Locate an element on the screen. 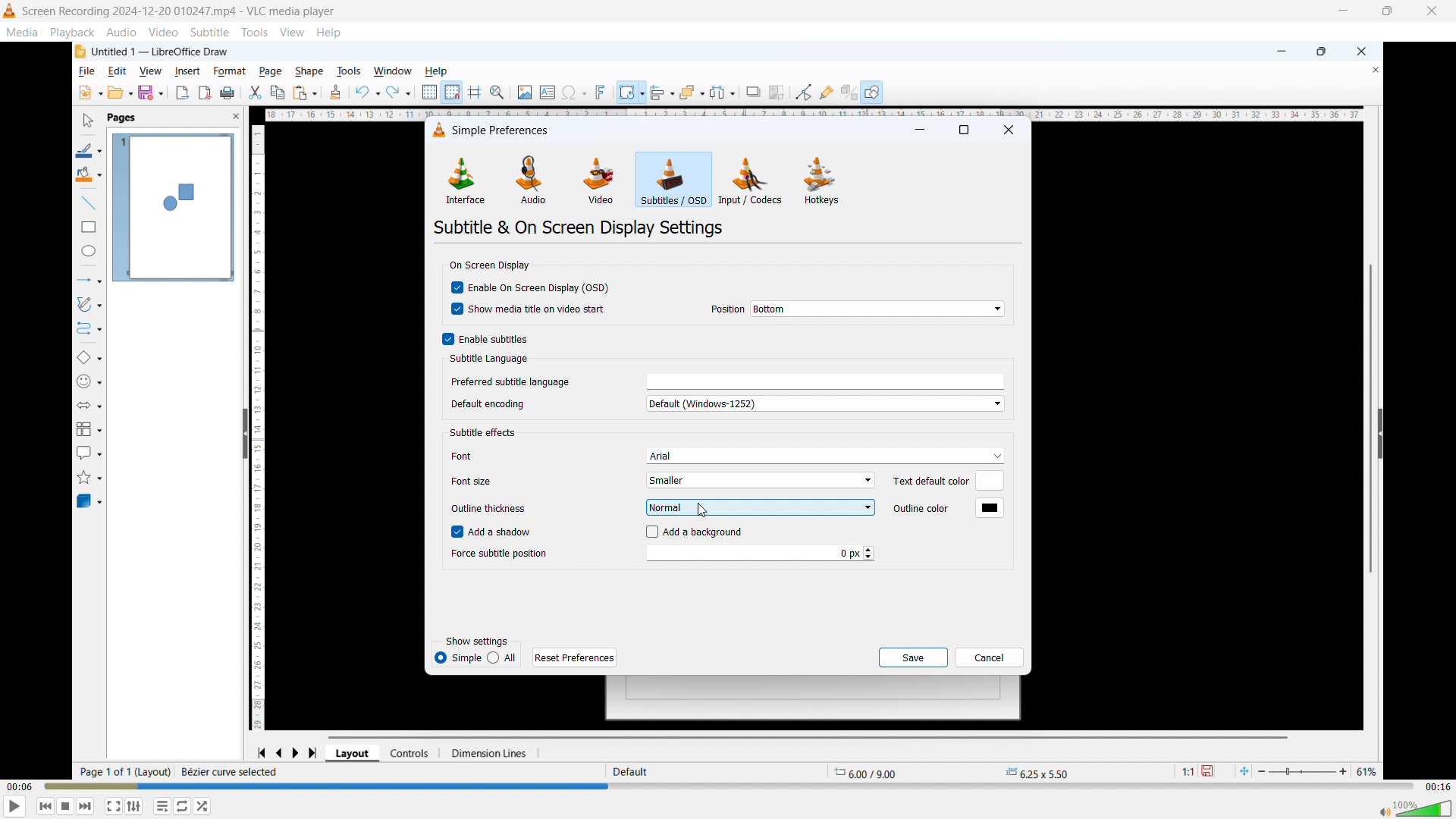 The width and height of the screenshot is (1456, 819). Subtitle and on screen display settings  is located at coordinates (579, 228).